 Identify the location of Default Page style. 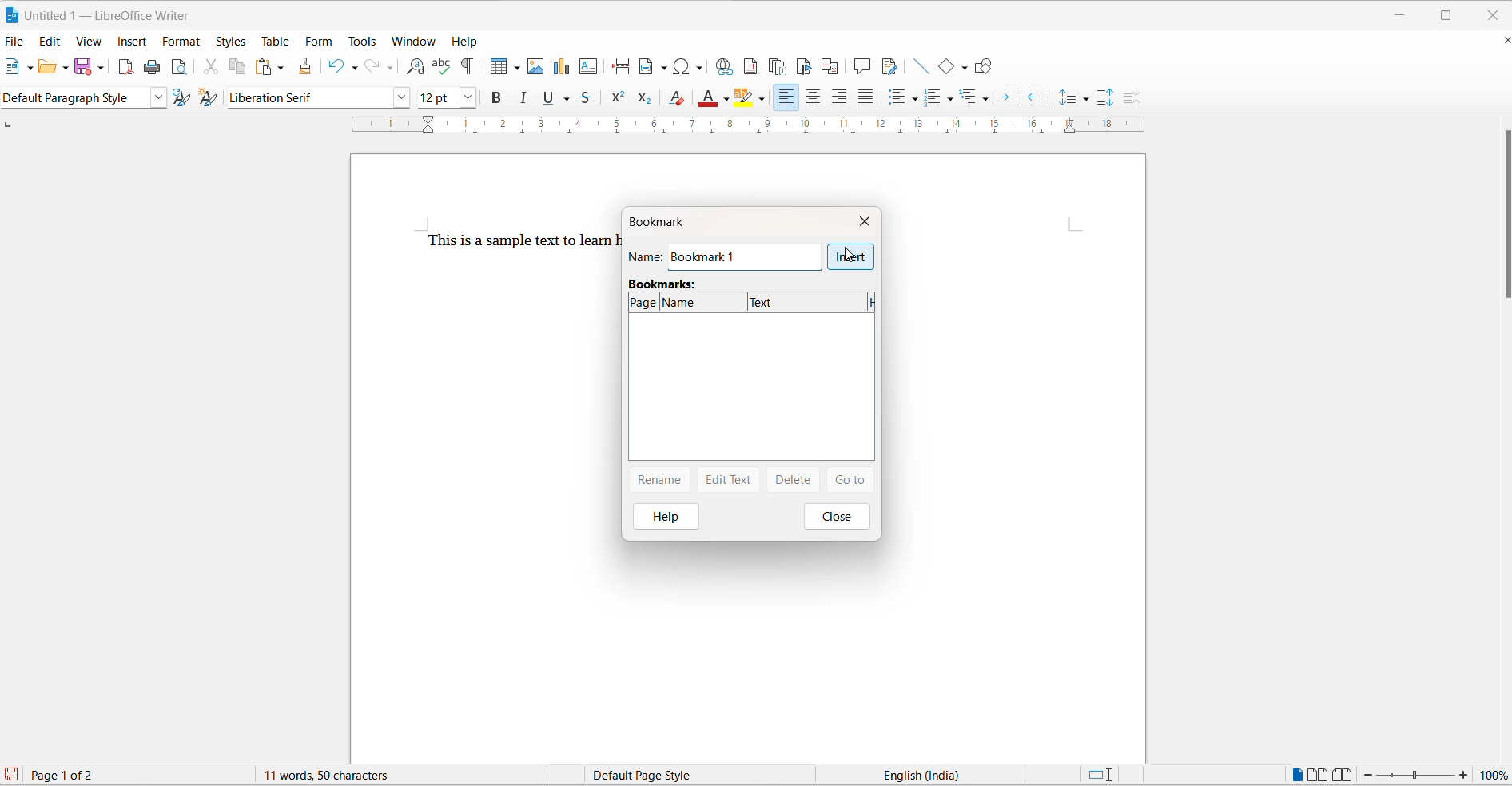
(647, 775).